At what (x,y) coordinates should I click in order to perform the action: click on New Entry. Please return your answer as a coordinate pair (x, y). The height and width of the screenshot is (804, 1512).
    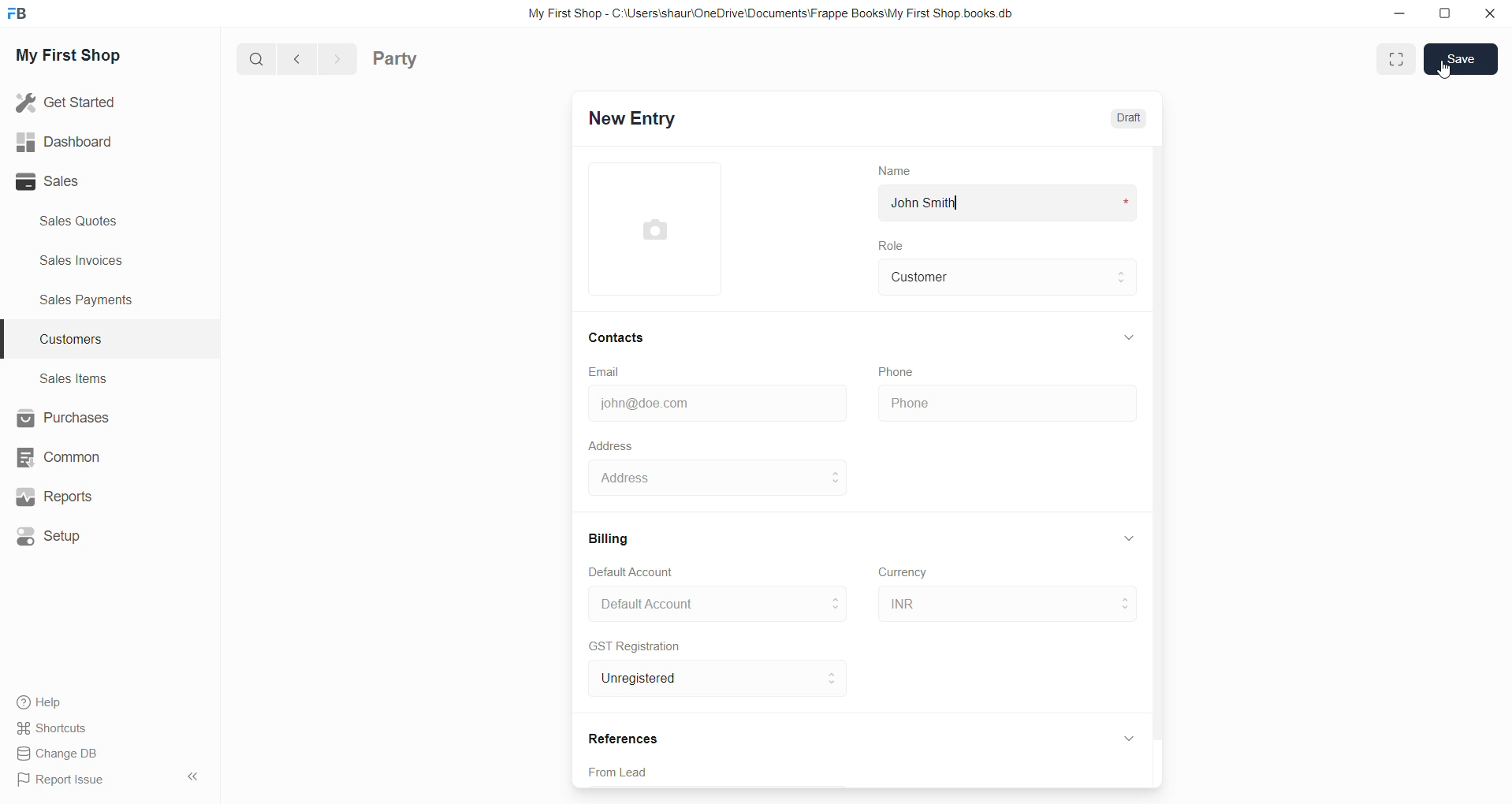
    Looking at the image, I should click on (648, 120).